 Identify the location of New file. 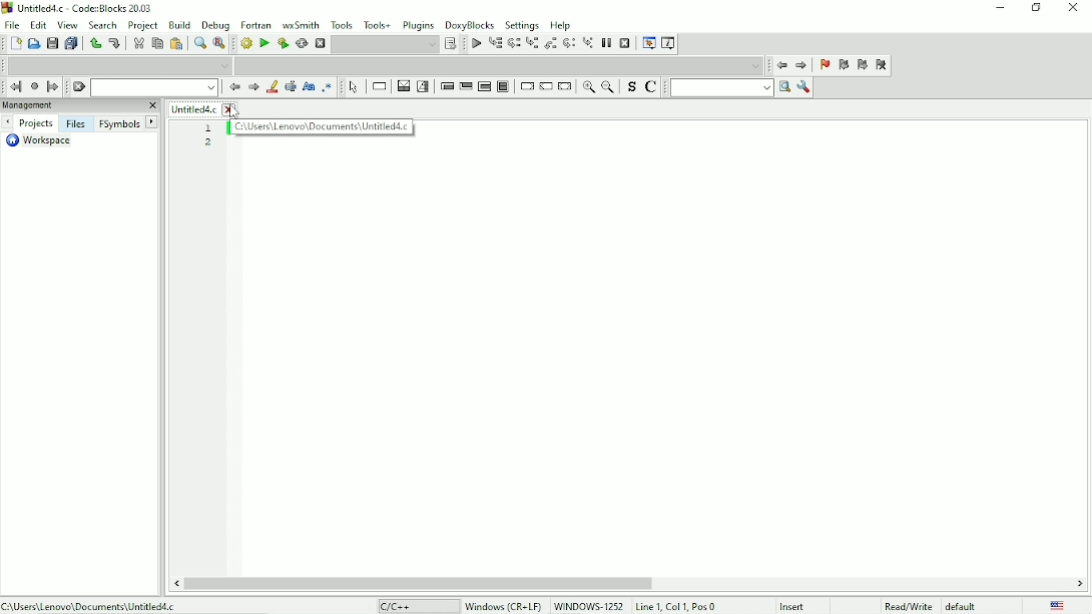
(14, 44).